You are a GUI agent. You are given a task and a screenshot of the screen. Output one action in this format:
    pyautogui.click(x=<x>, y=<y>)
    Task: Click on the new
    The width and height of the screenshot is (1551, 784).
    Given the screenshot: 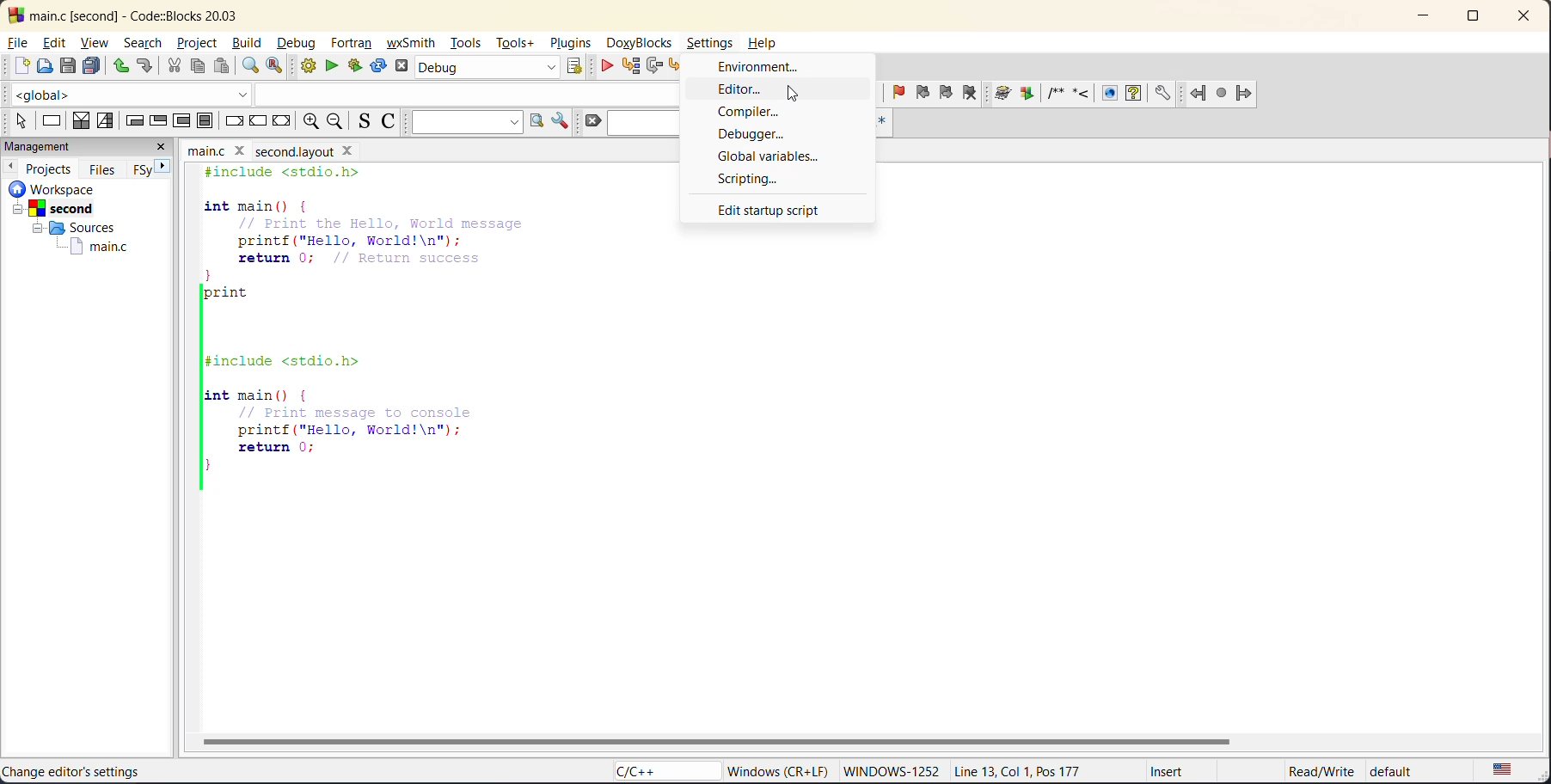 What is the action you would take?
    pyautogui.click(x=21, y=67)
    